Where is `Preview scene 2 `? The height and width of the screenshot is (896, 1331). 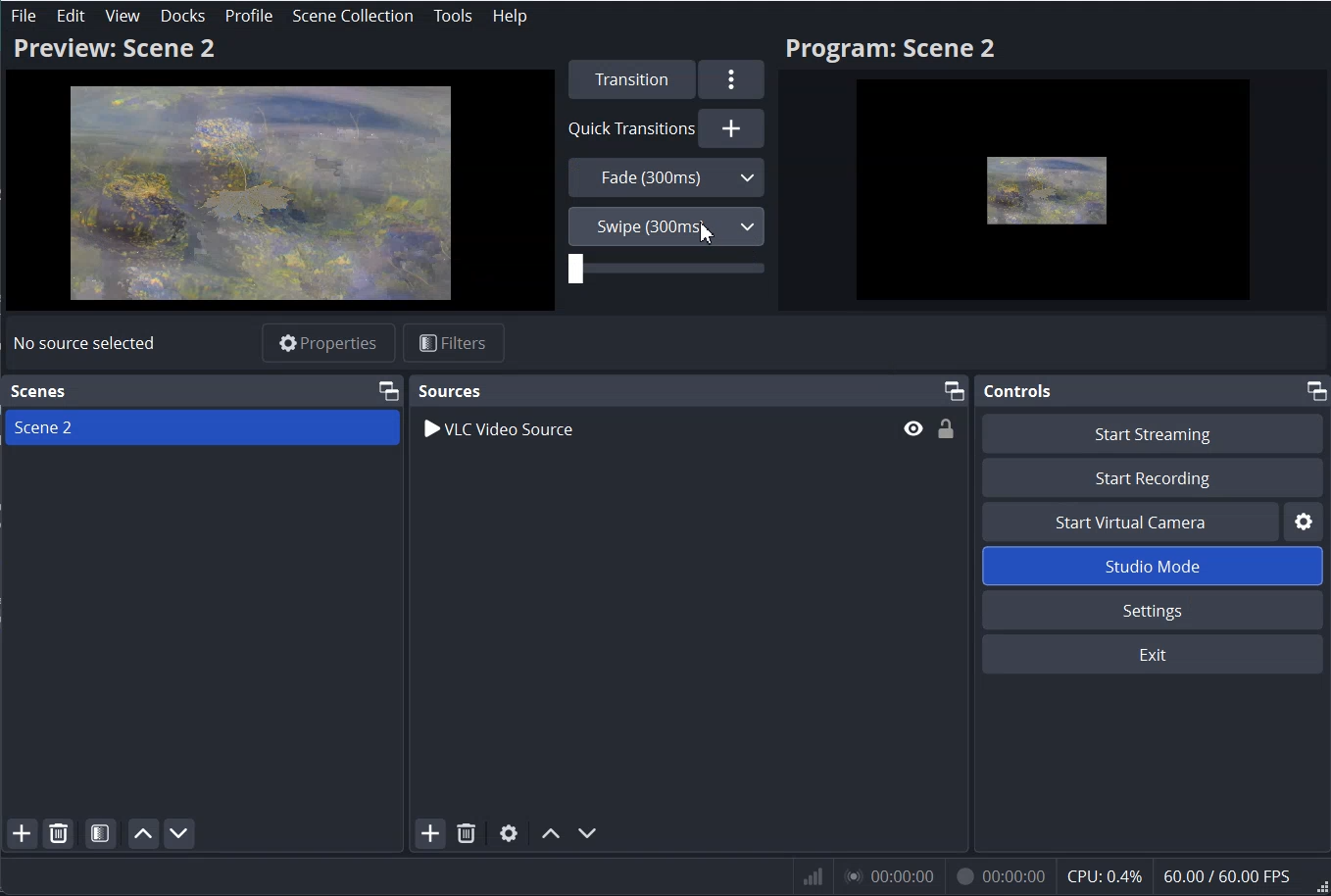 Preview scene 2  is located at coordinates (1054, 173).